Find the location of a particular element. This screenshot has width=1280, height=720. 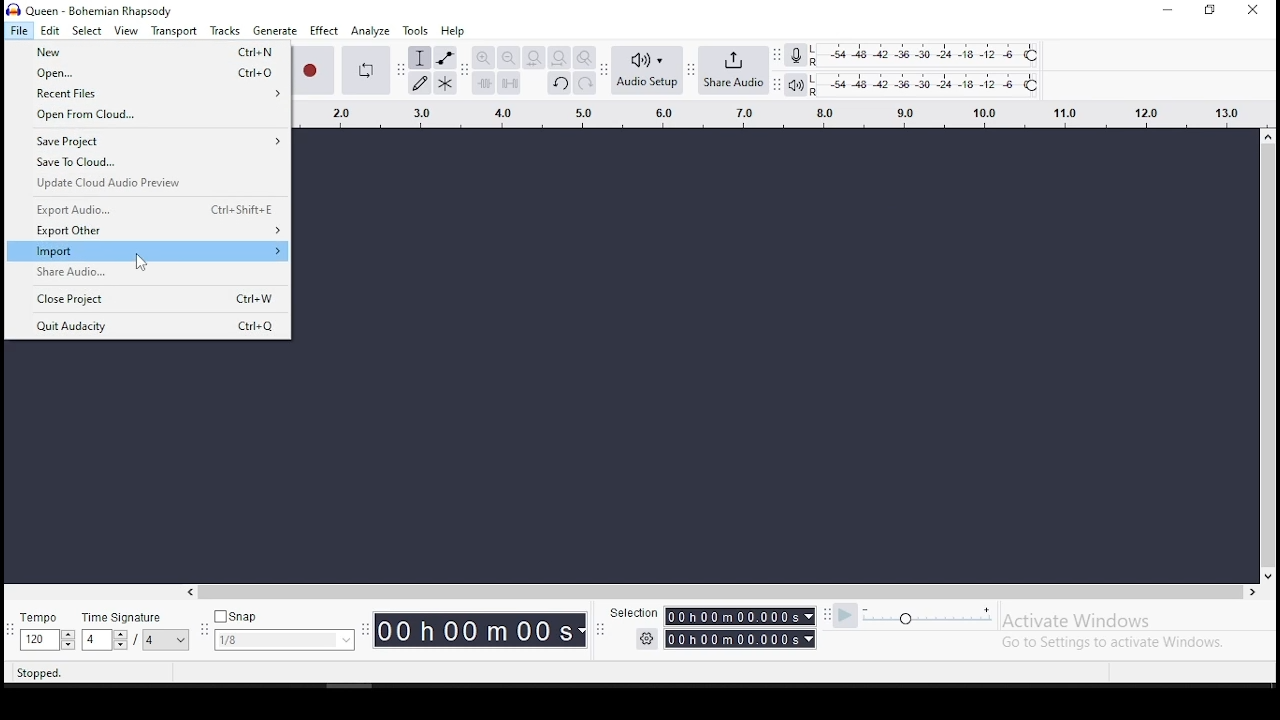

generate is located at coordinates (275, 31).